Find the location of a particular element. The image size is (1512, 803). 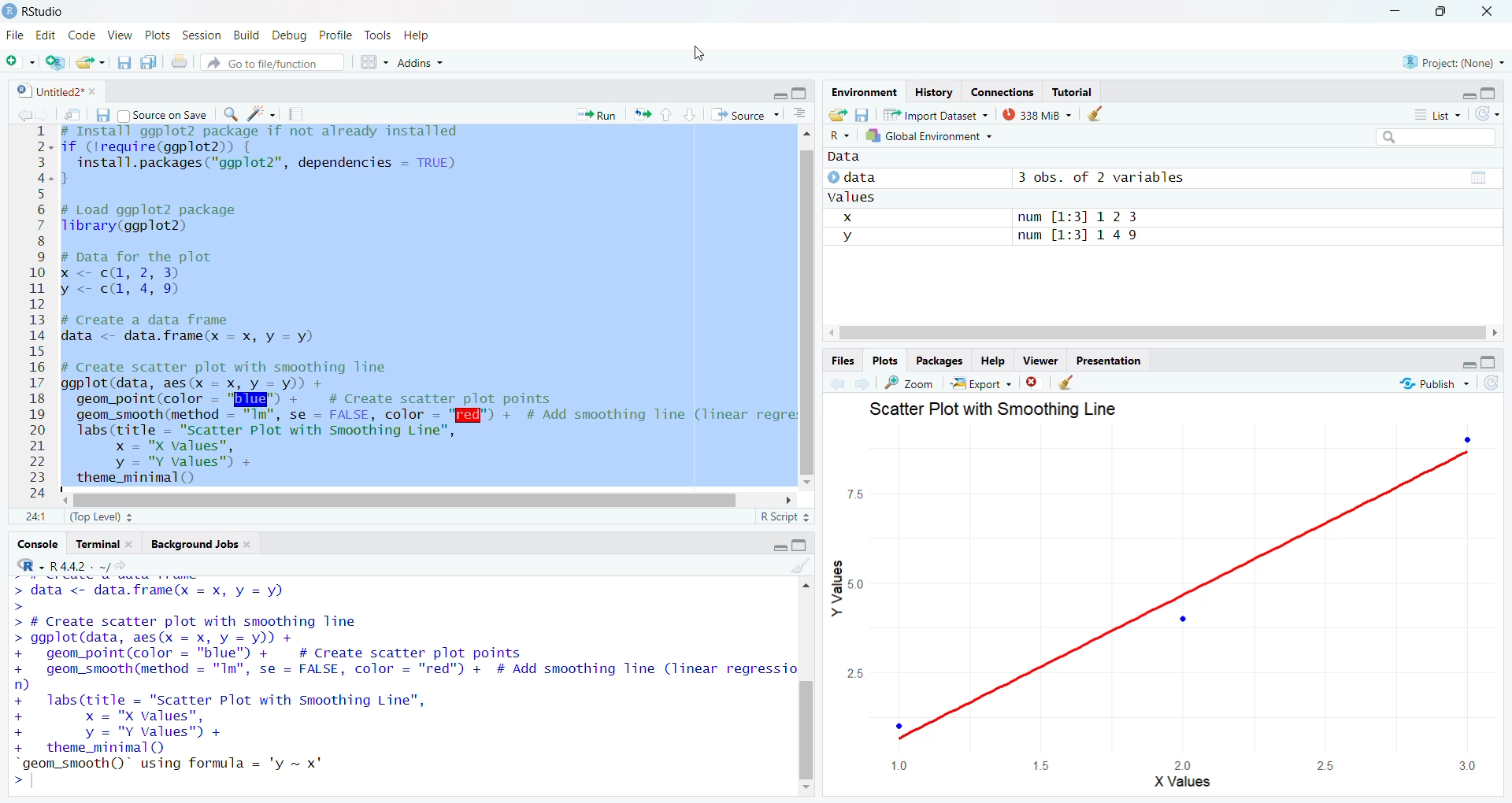

 Profile is located at coordinates (334, 35).